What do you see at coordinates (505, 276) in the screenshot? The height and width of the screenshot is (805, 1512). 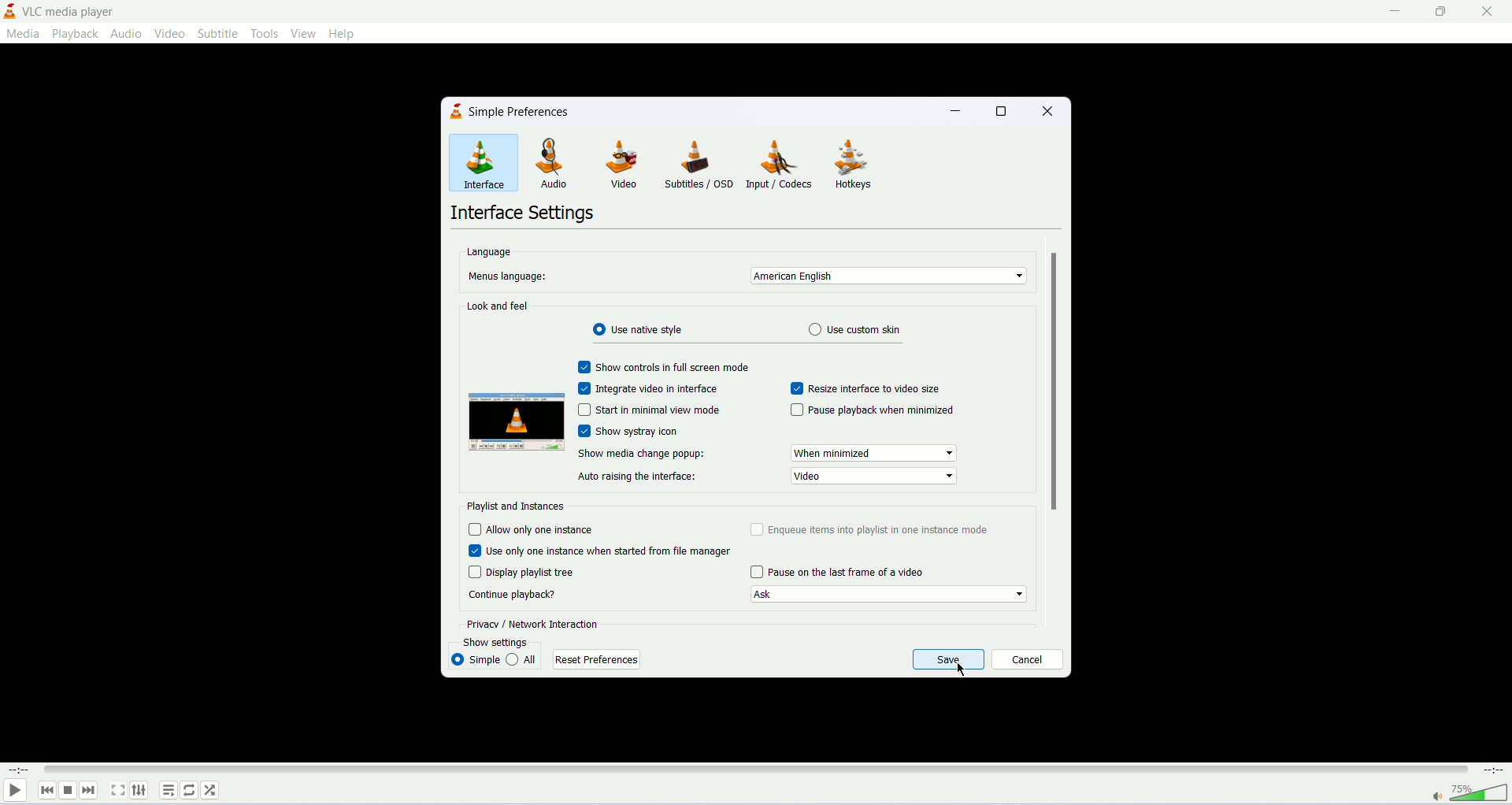 I see `Menu's language` at bounding box center [505, 276].